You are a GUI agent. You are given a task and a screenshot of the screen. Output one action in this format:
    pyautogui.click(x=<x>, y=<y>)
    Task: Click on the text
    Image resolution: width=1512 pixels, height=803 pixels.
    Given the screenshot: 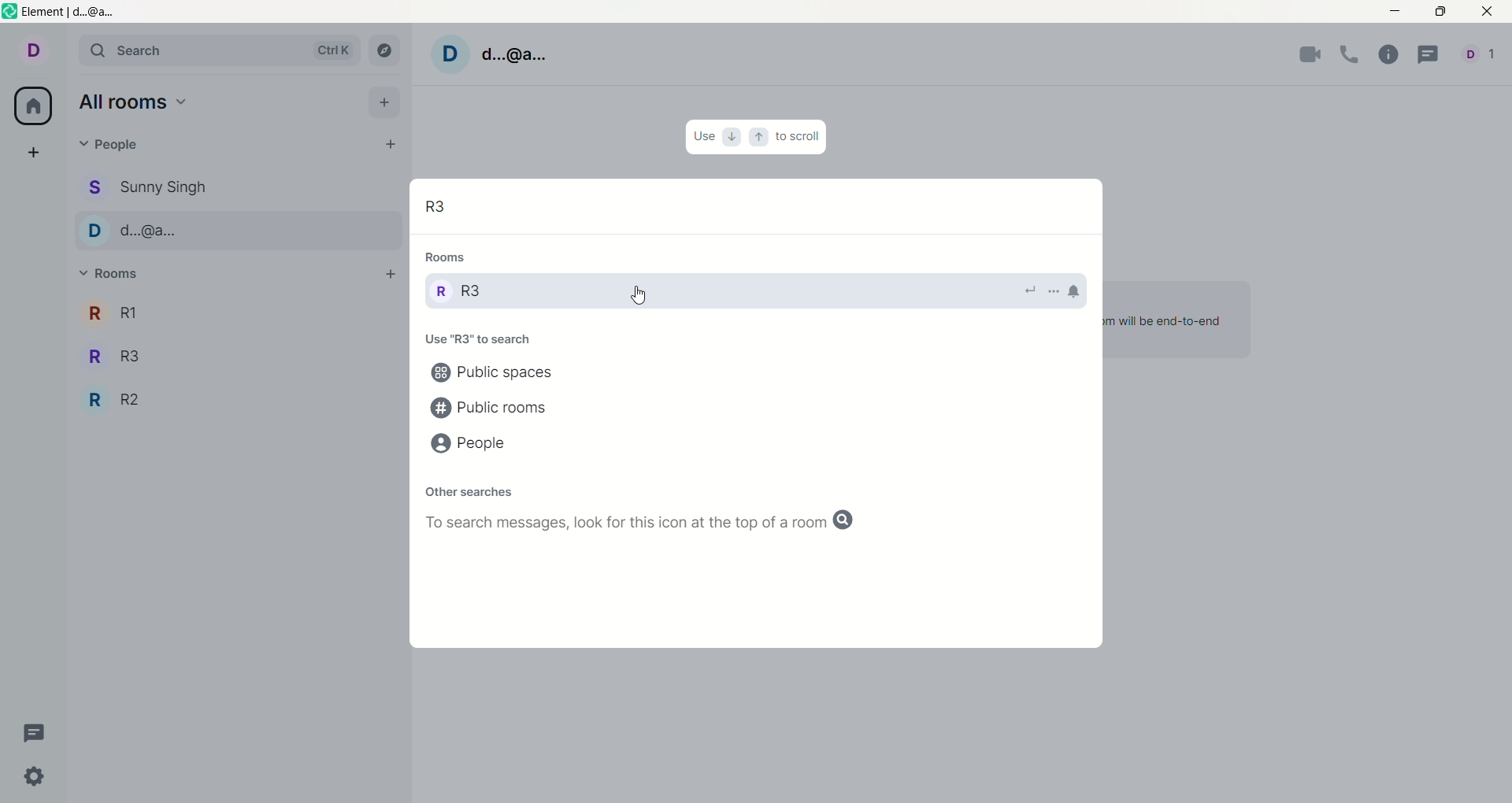 What is the action you would take?
    pyautogui.click(x=662, y=525)
    